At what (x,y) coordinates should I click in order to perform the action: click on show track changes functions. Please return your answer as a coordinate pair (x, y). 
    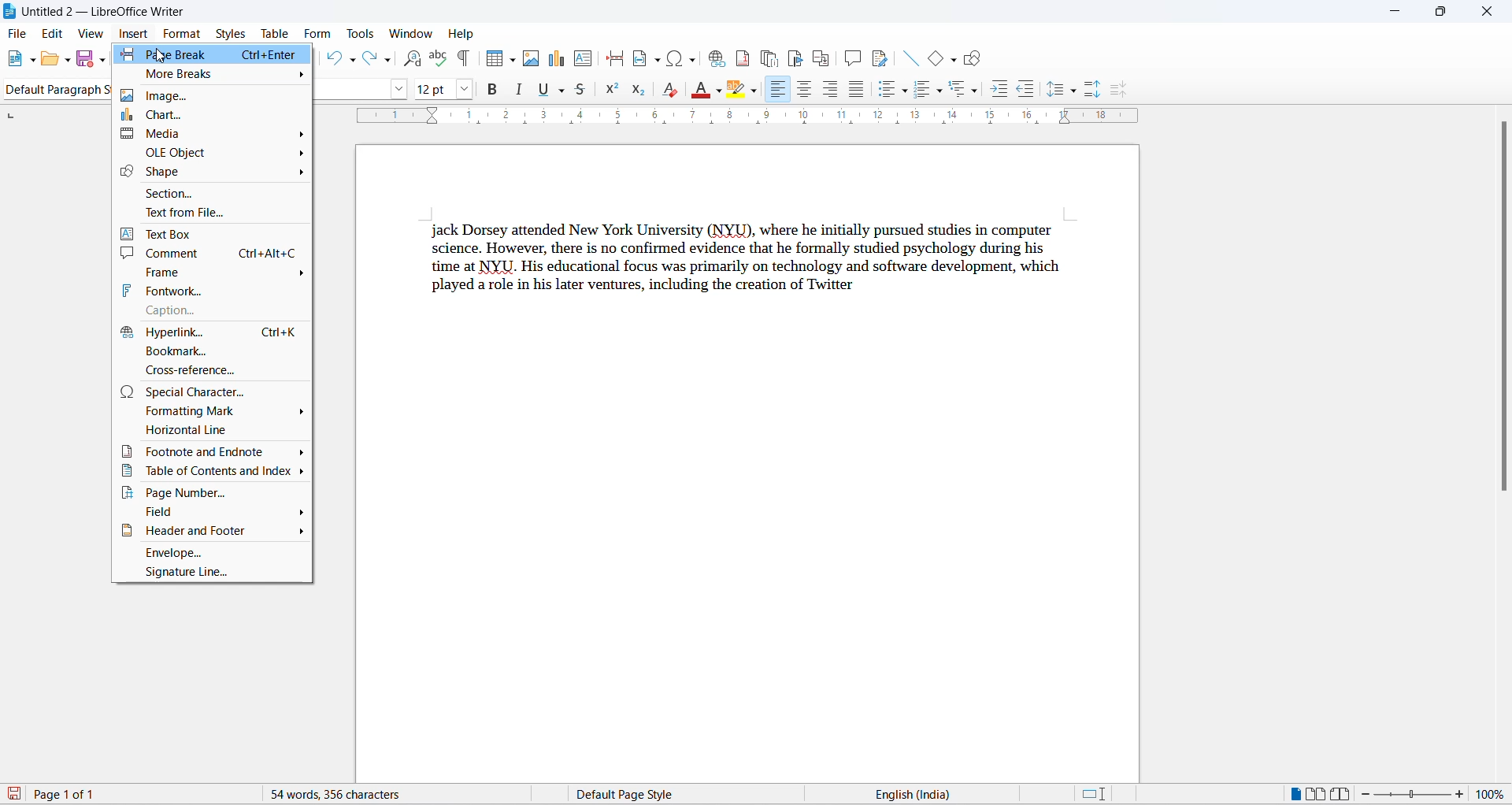
    Looking at the image, I should click on (881, 57).